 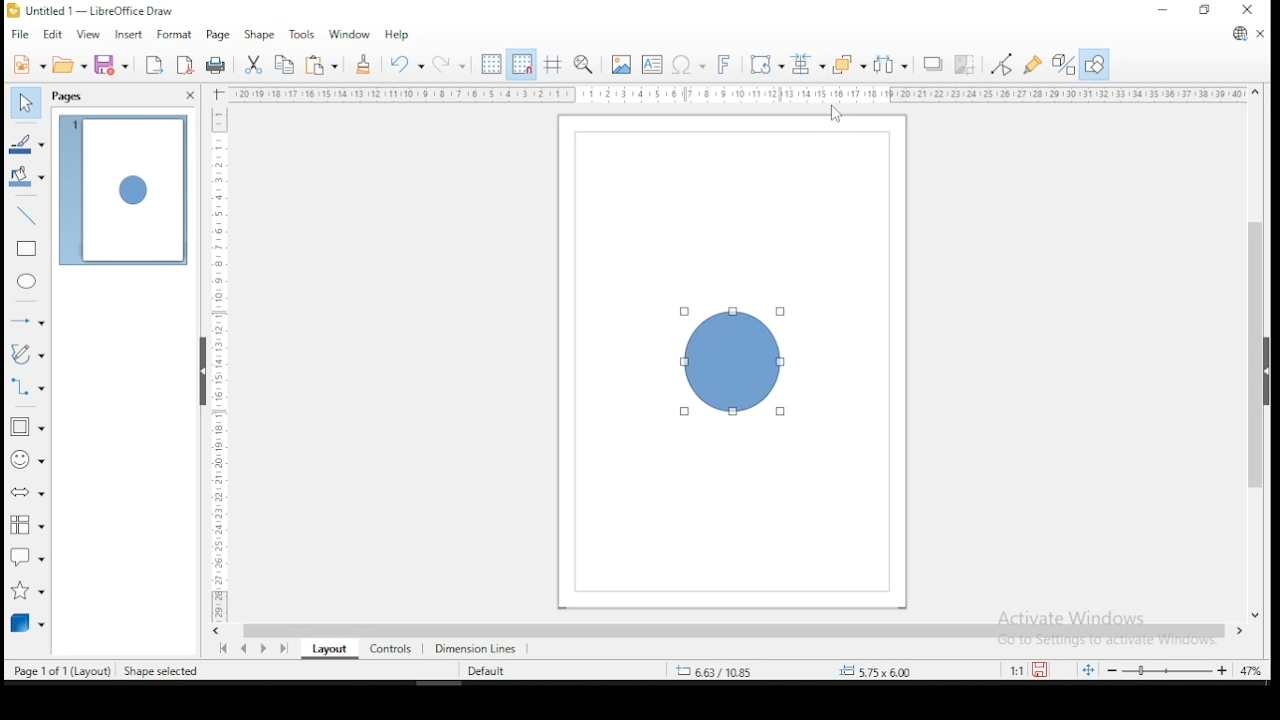 What do you see at coordinates (388, 647) in the screenshot?
I see `controls` at bounding box center [388, 647].